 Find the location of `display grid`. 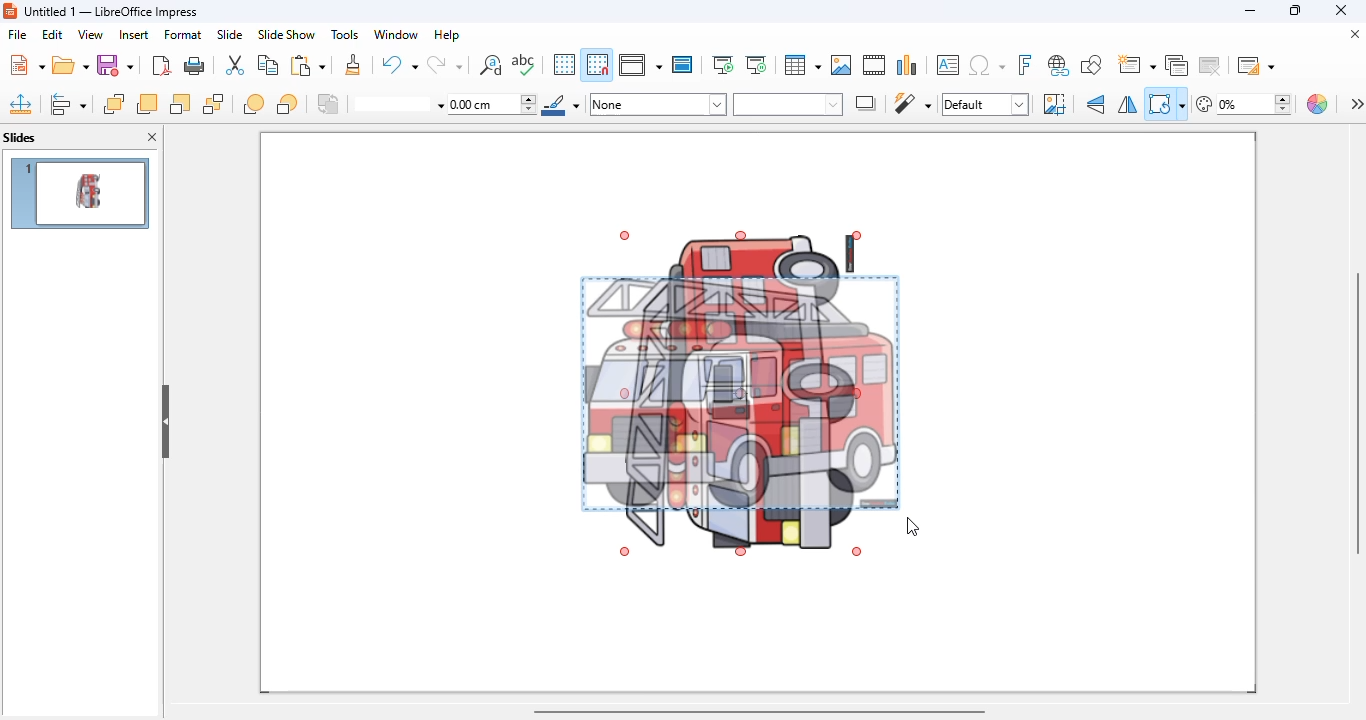

display grid is located at coordinates (564, 65).